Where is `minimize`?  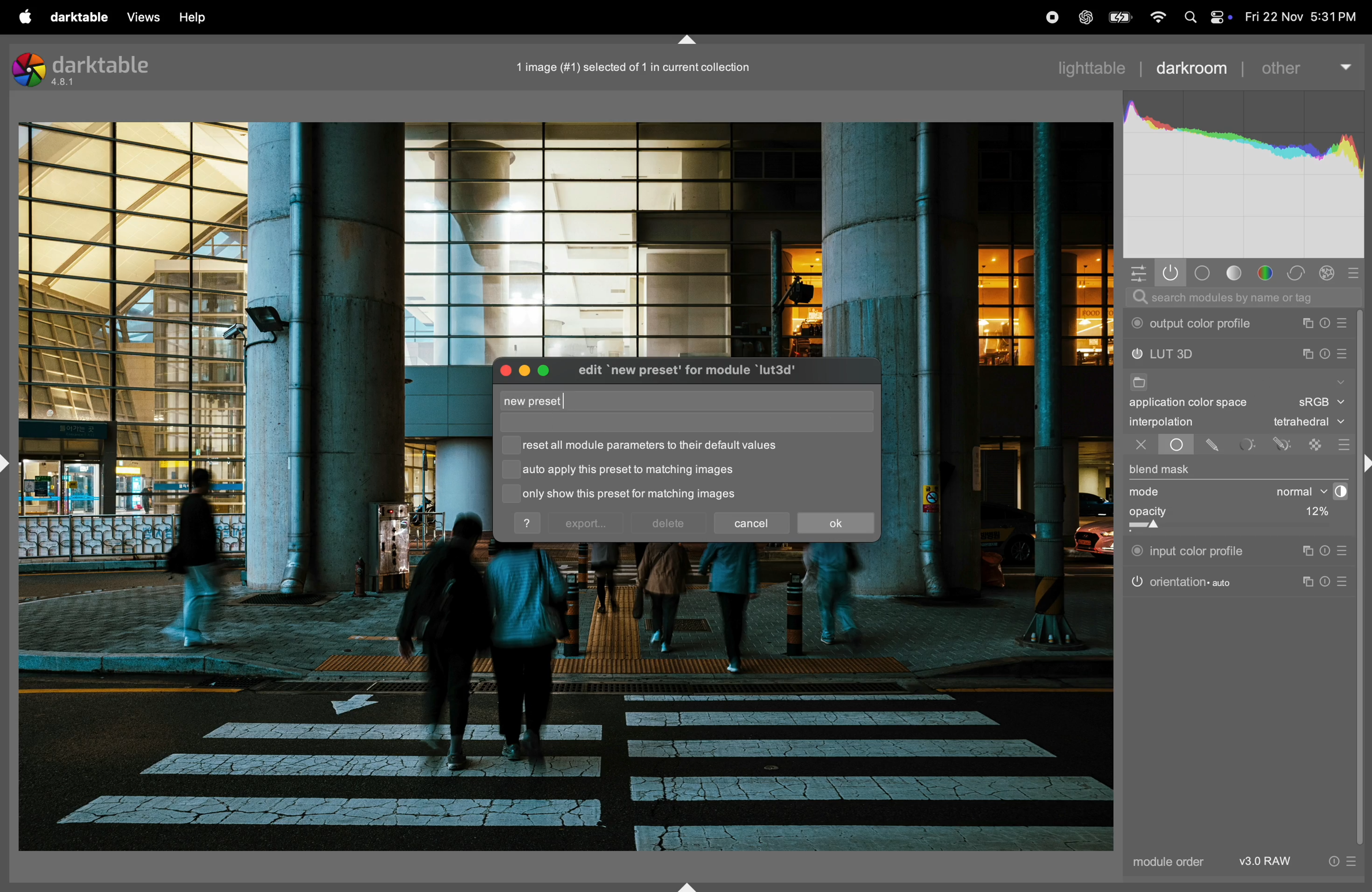 minimize is located at coordinates (522, 370).